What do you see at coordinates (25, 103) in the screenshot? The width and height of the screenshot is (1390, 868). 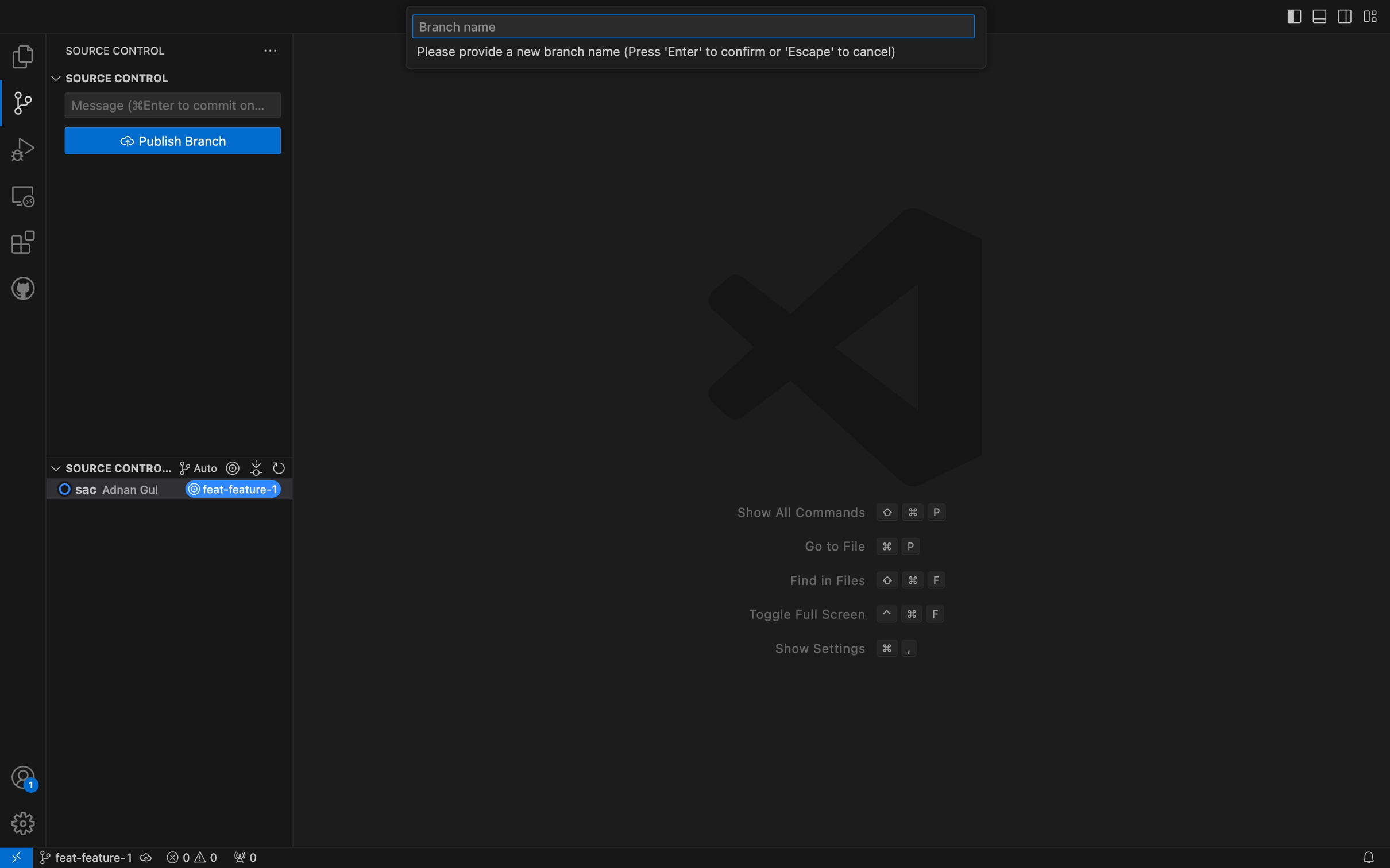 I see `git` at bounding box center [25, 103].